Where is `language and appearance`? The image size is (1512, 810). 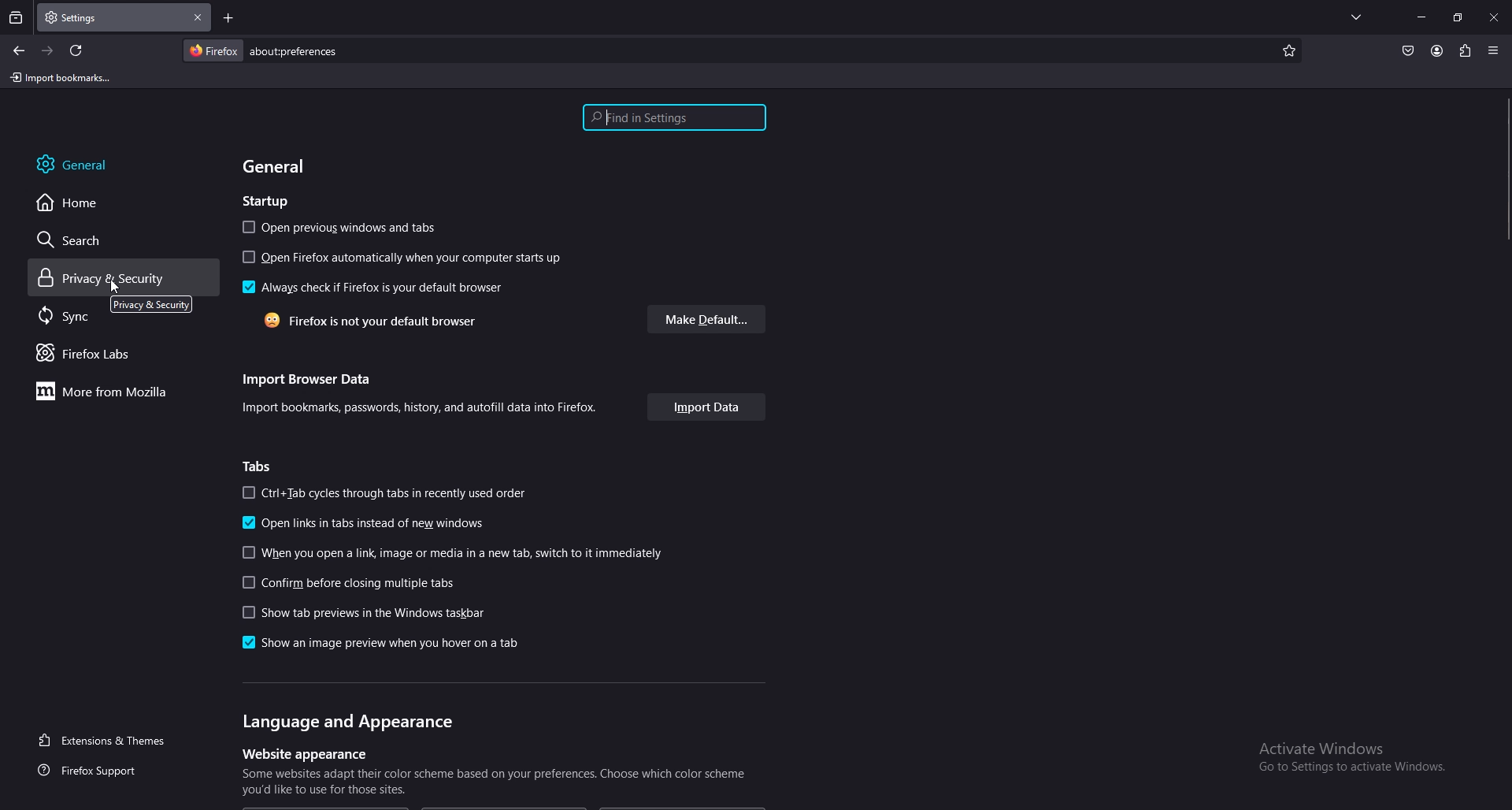
language and appearance is located at coordinates (352, 720).